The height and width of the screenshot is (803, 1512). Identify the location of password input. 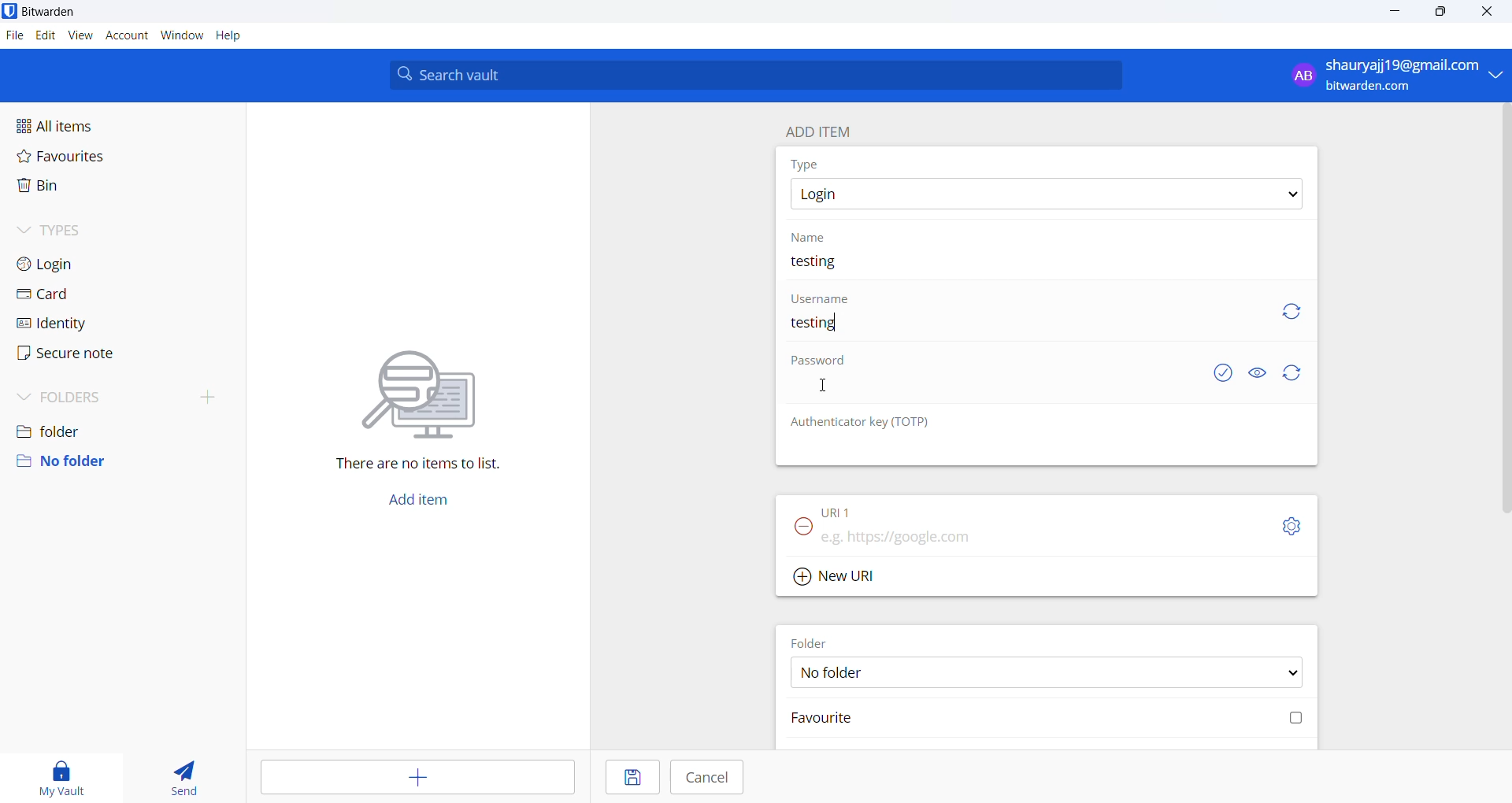
(990, 391).